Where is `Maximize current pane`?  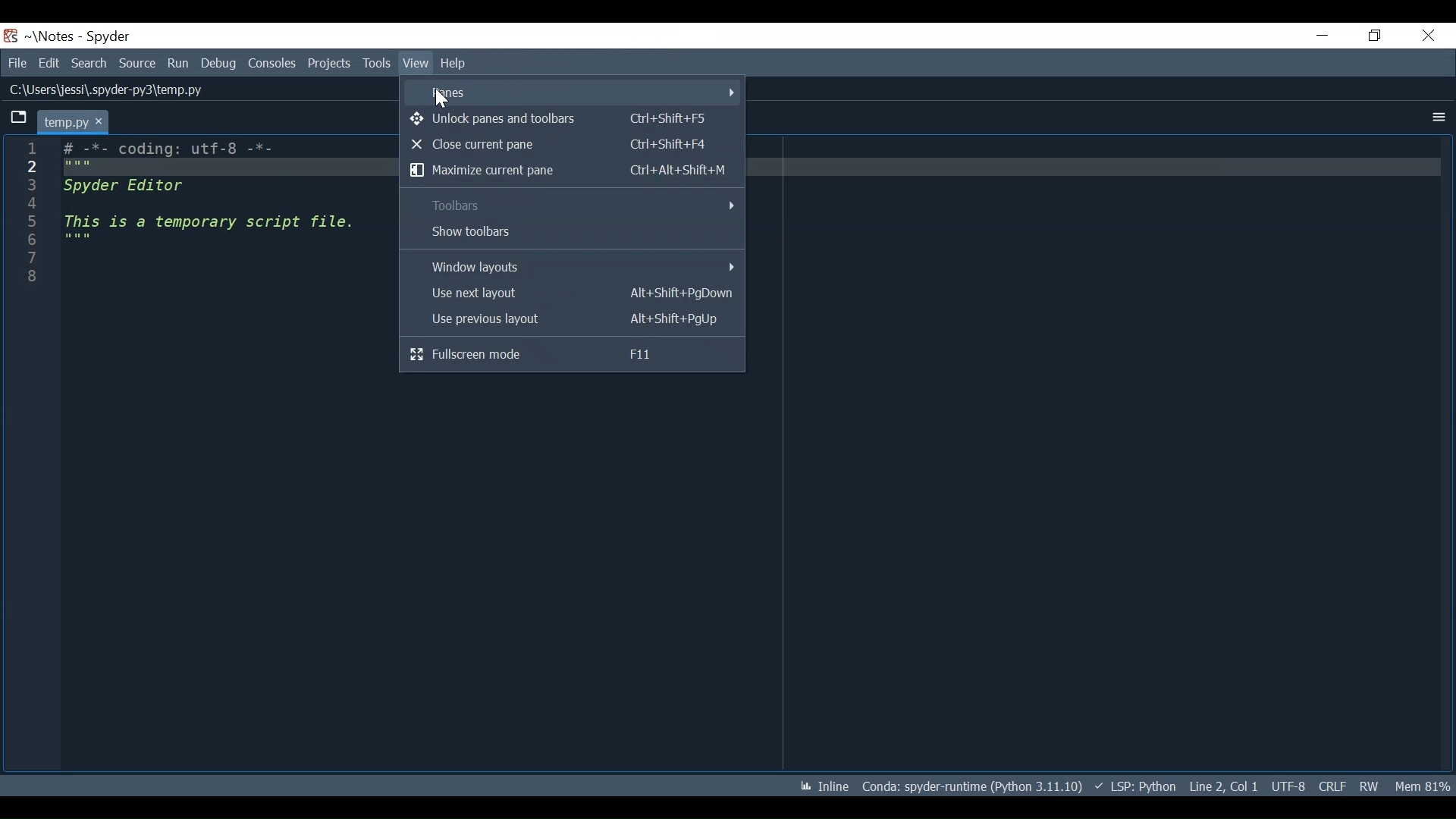
Maximize current pane is located at coordinates (570, 171).